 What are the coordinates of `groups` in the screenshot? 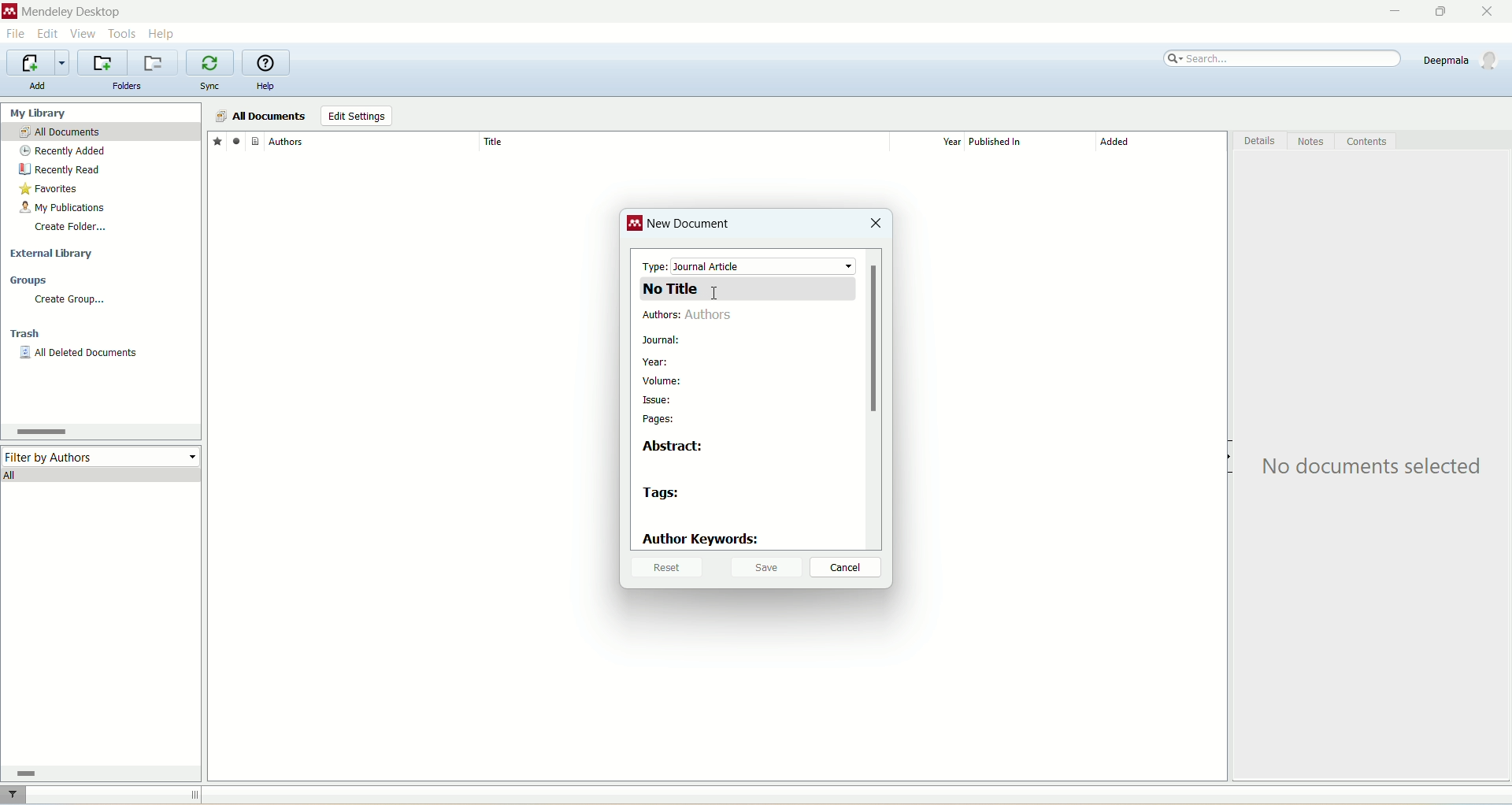 It's located at (30, 281).